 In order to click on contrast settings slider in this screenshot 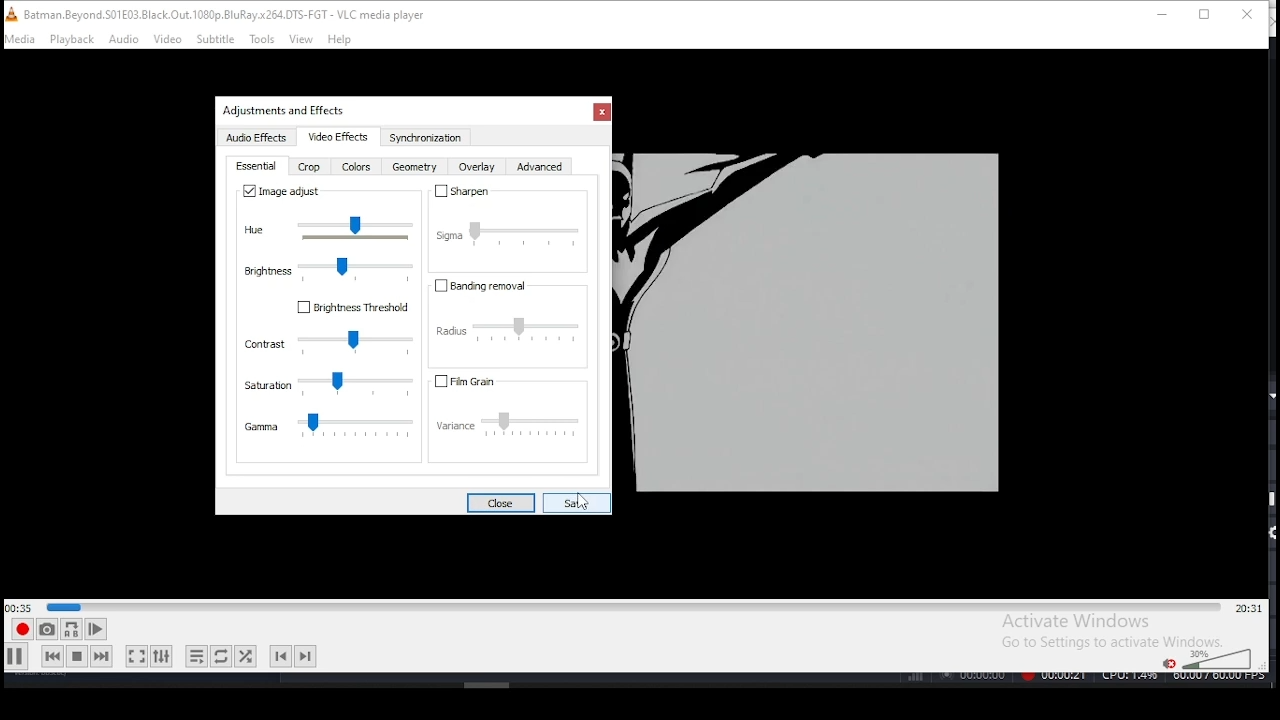, I will do `click(329, 341)`.